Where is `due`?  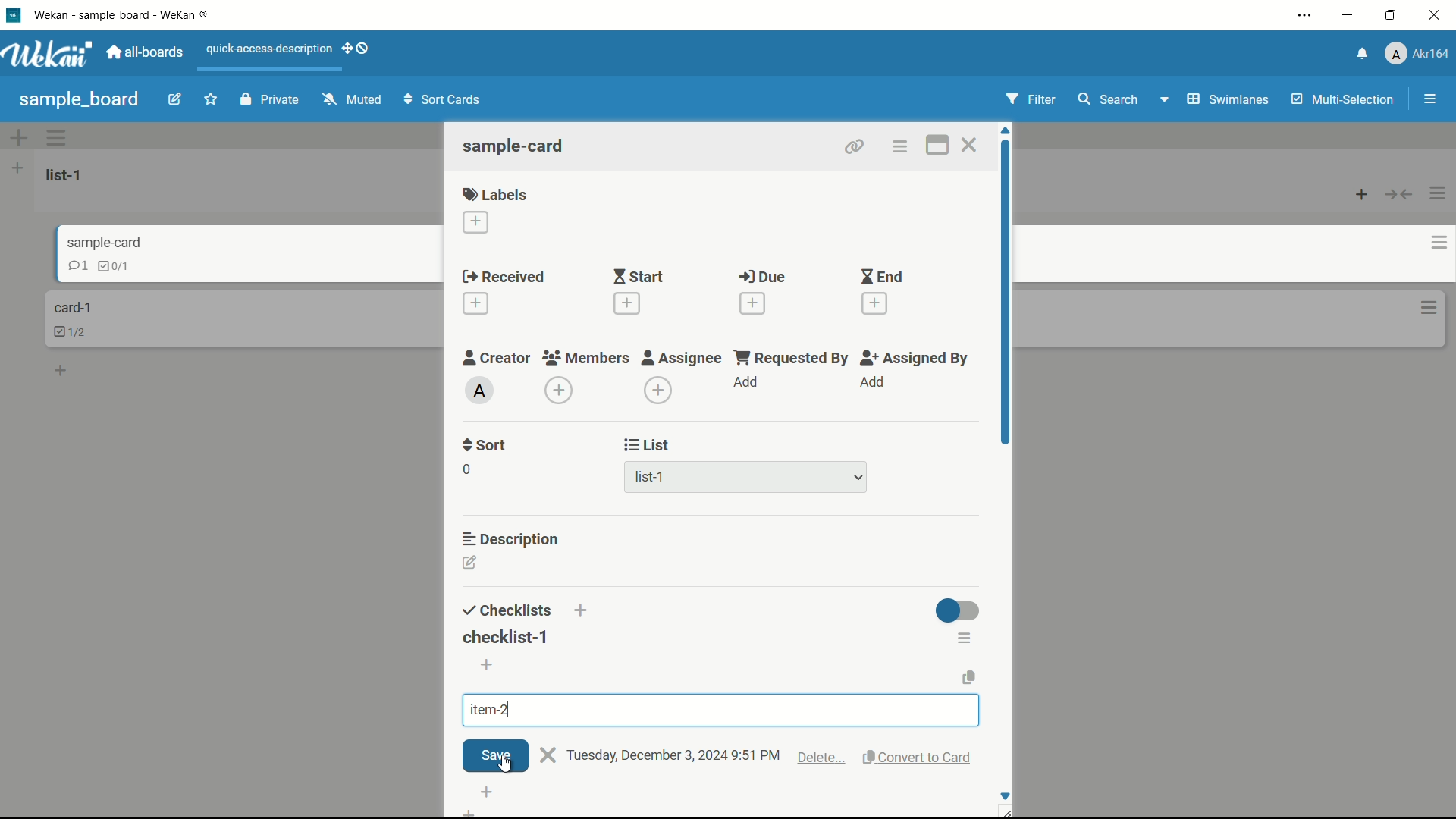 due is located at coordinates (763, 277).